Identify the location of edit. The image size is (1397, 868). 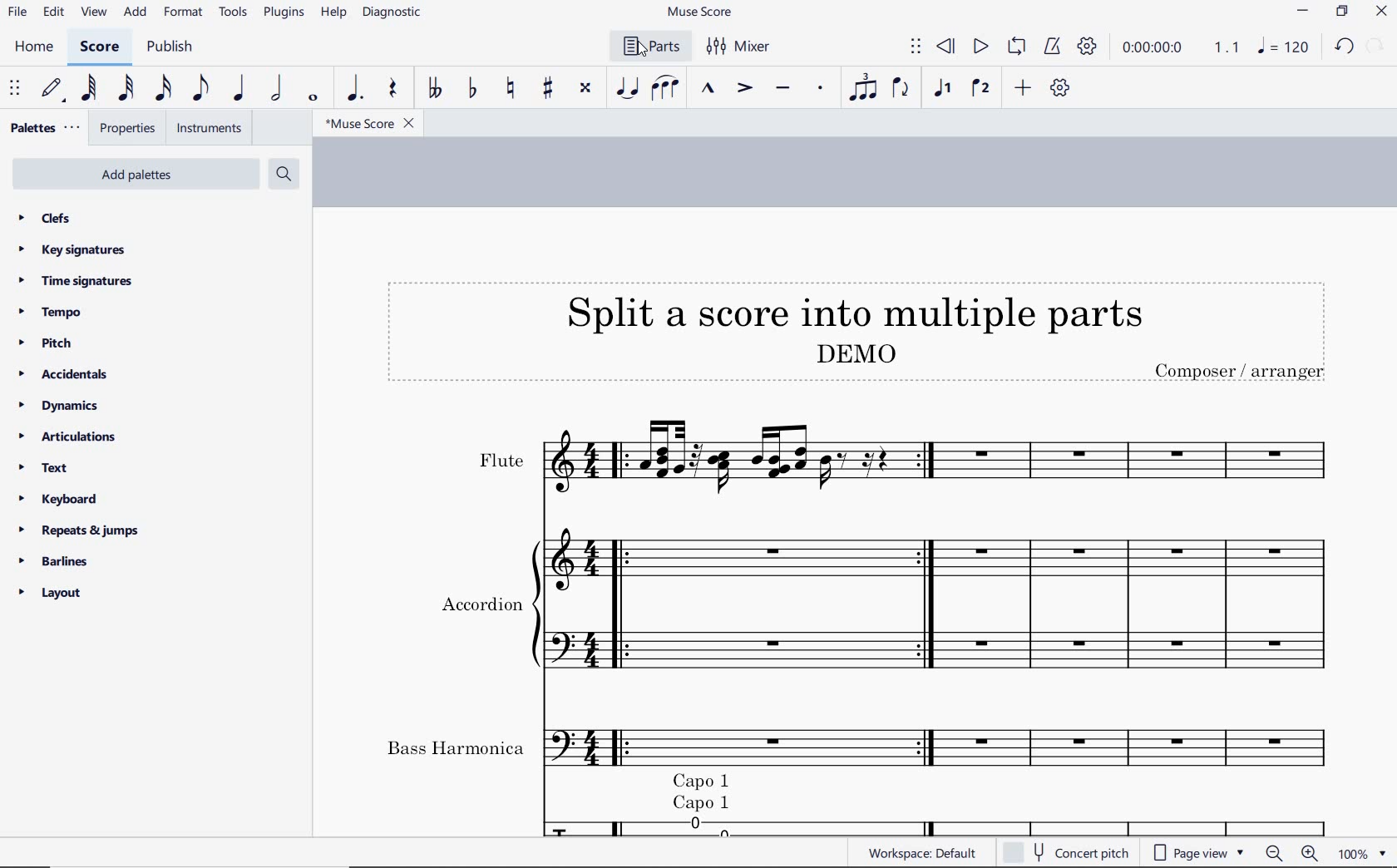
(54, 13).